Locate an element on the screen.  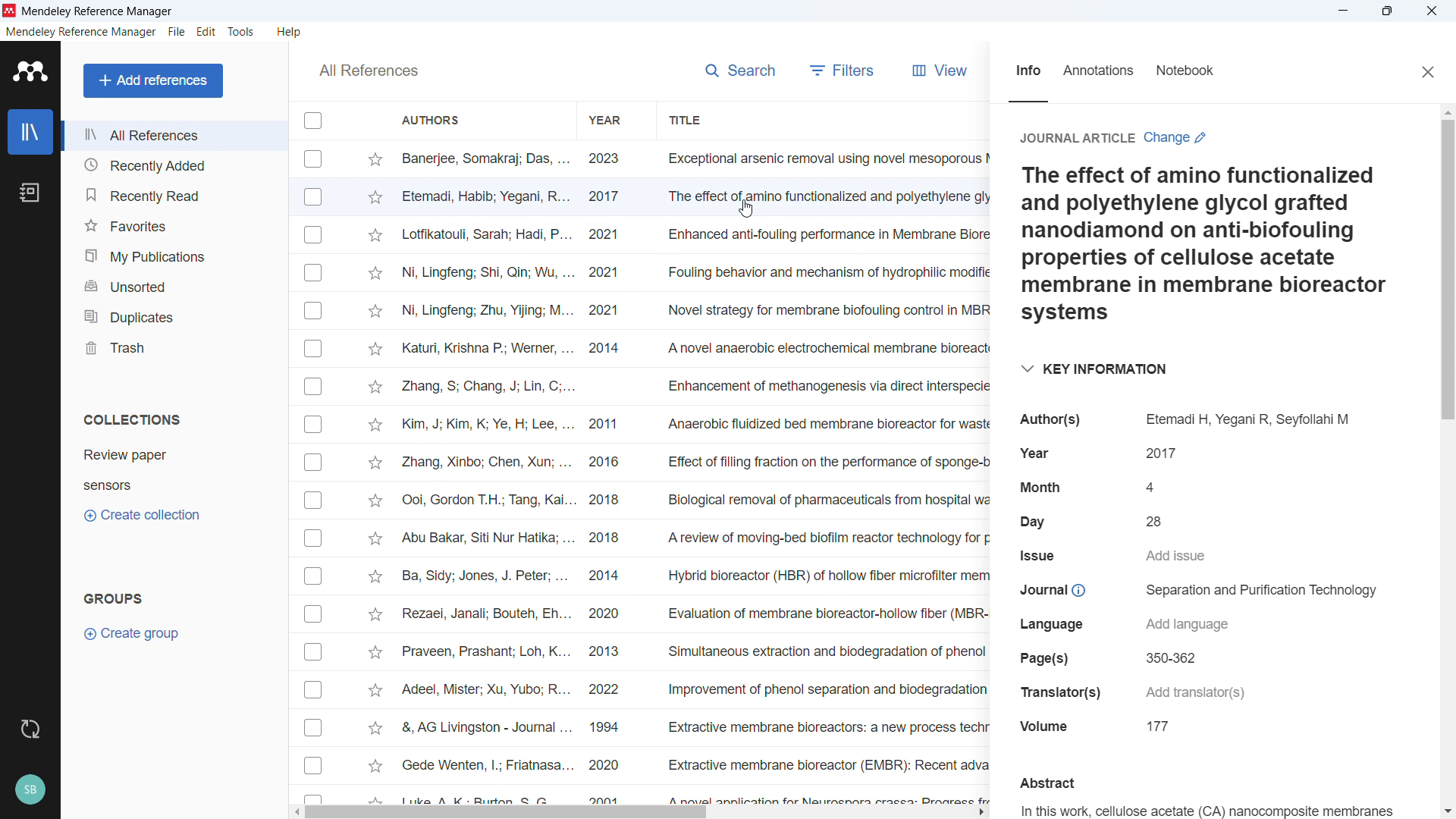
Cursor  is located at coordinates (748, 209).